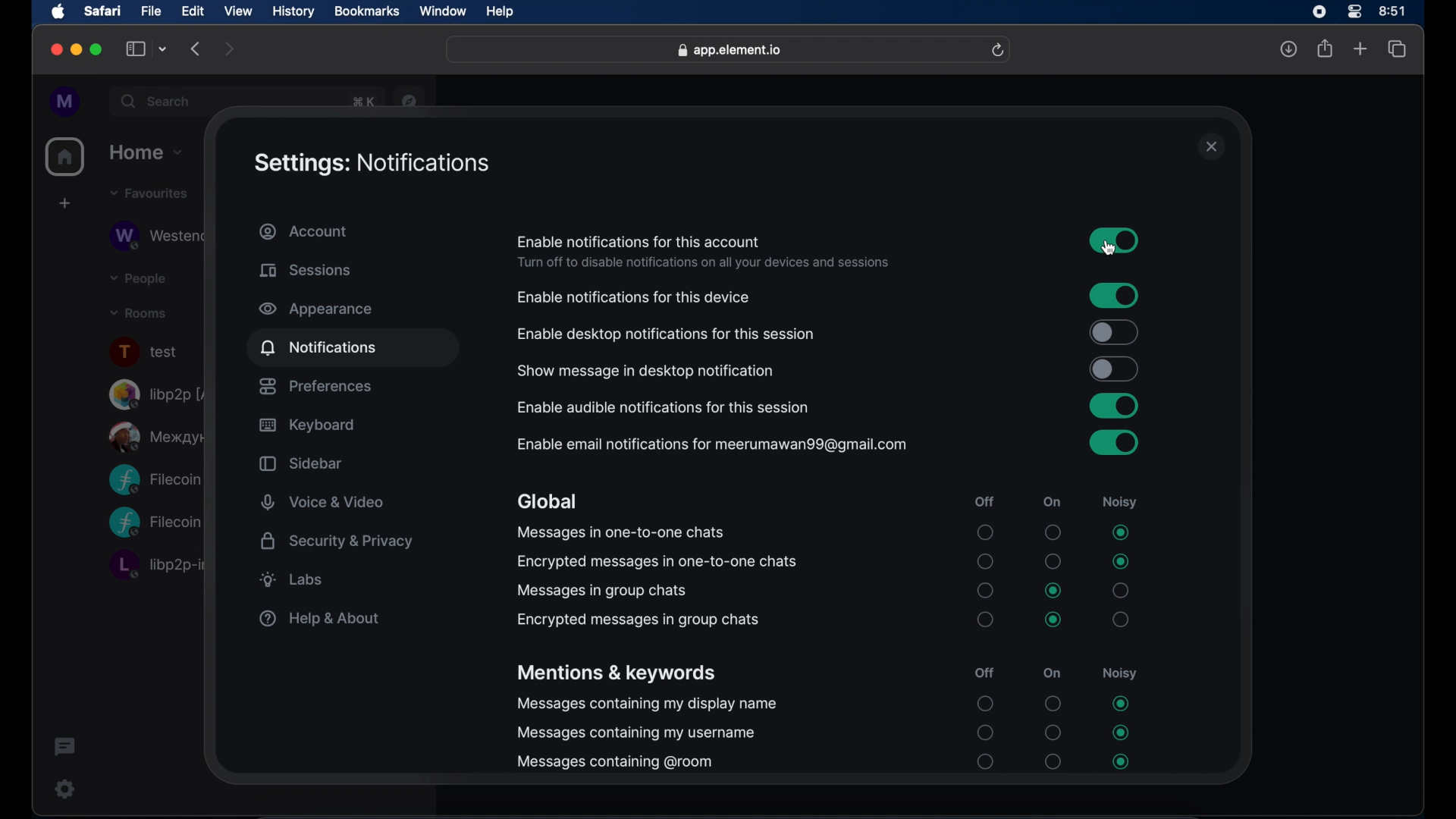 Image resolution: width=1456 pixels, height=819 pixels. What do you see at coordinates (1053, 762) in the screenshot?
I see `radio button` at bounding box center [1053, 762].